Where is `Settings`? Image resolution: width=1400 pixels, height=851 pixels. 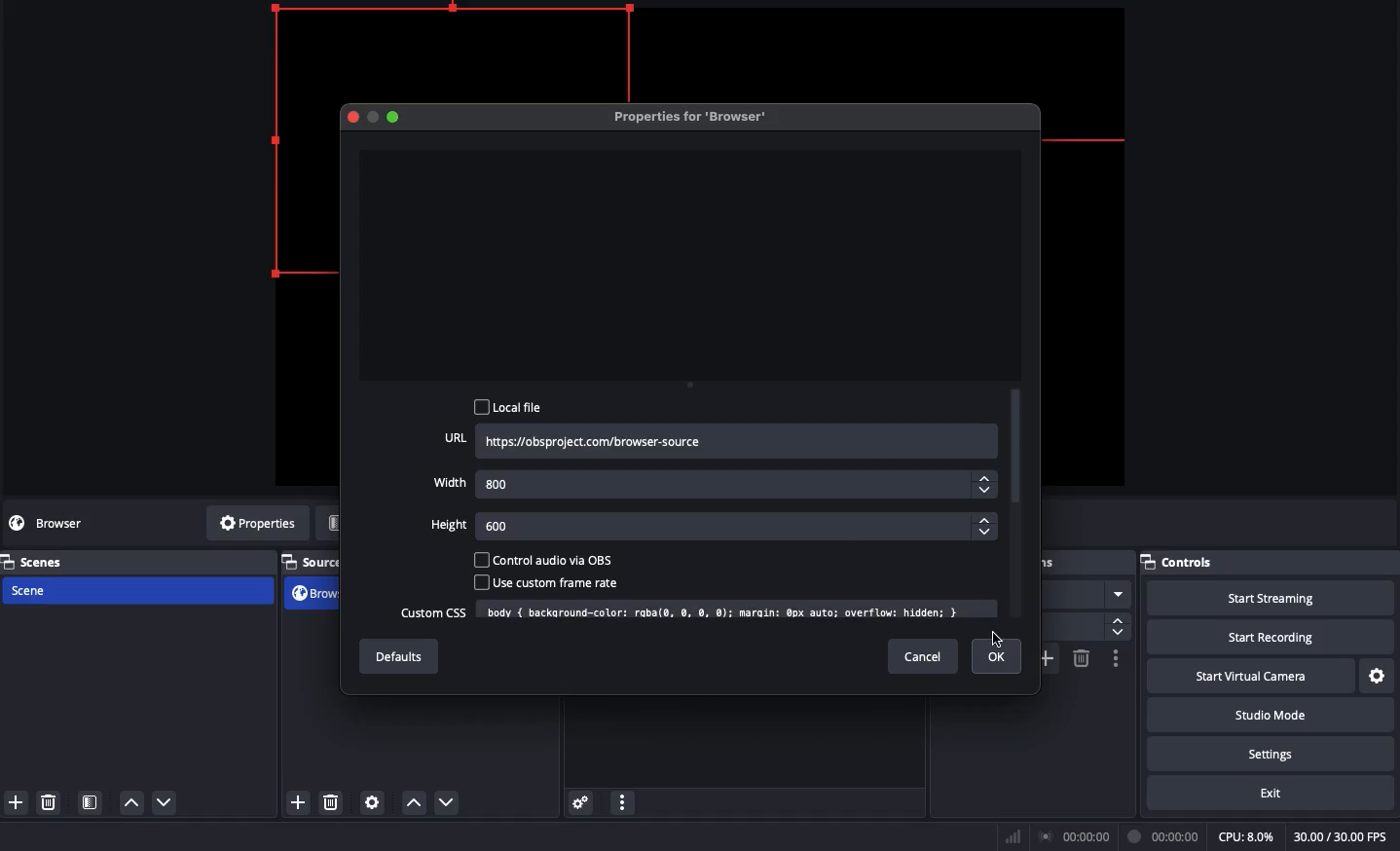 Settings is located at coordinates (1380, 676).